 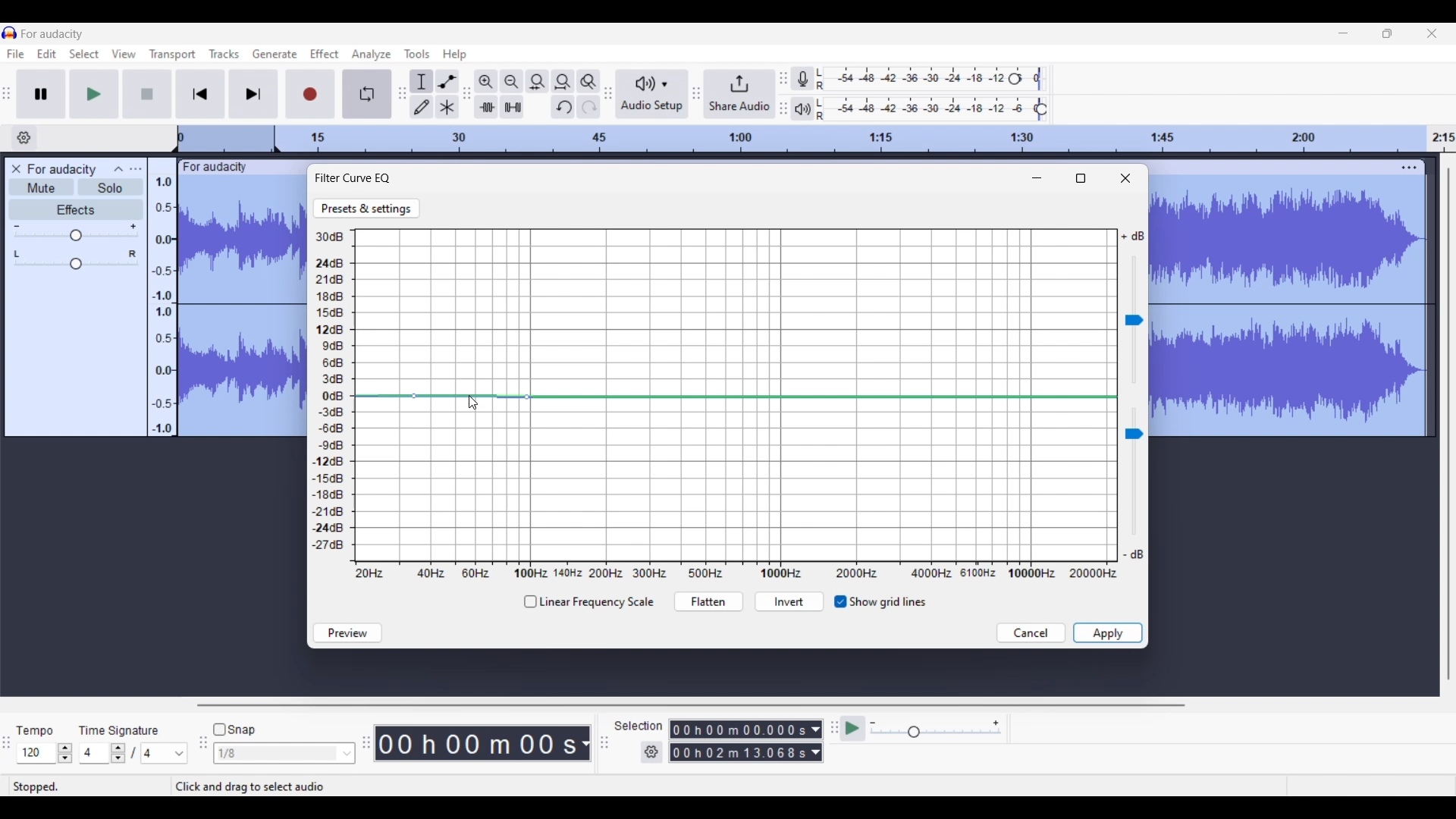 What do you see at coordinates (1342, 33) in the screenshot?
I see `Minimize` at bounding box center [1342, 33].